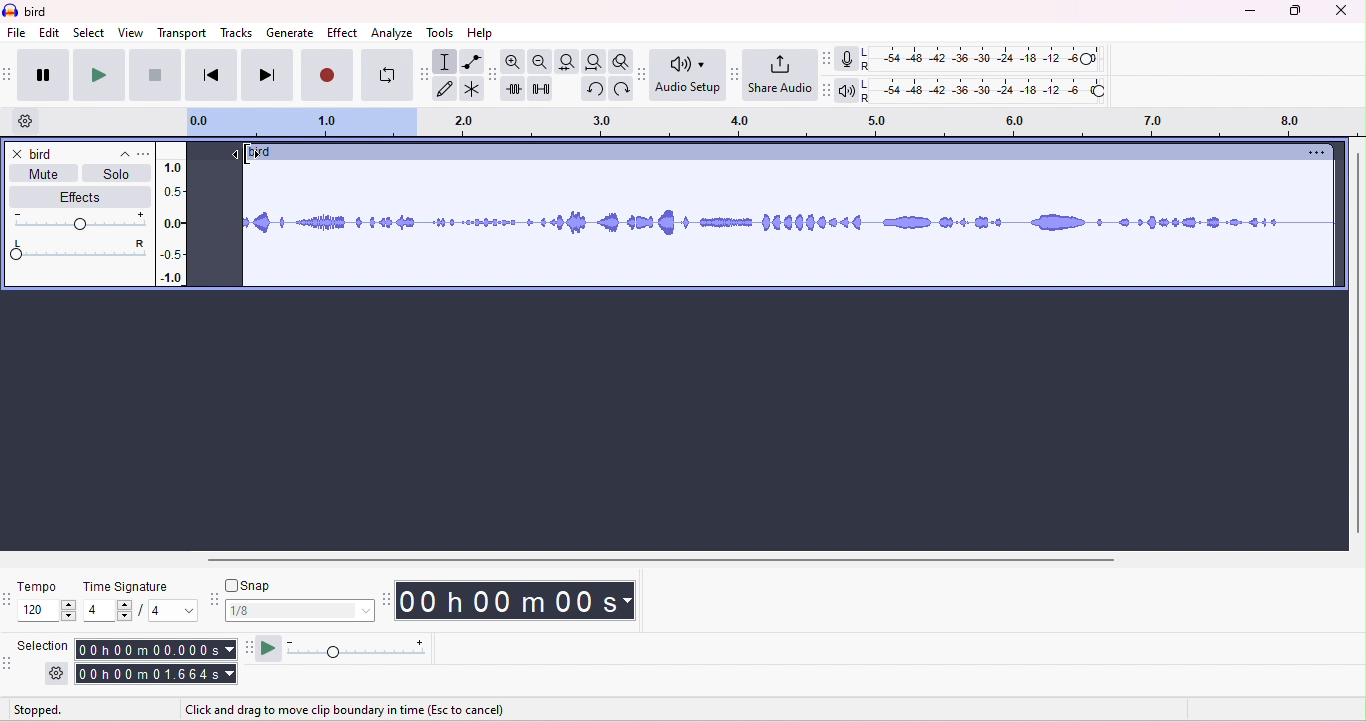 The height and width of the screenshot is (722, 1366). What do you see at coordinates (154, 75) in the screenshot?
I see `stop` at bounding box center [154, 75].